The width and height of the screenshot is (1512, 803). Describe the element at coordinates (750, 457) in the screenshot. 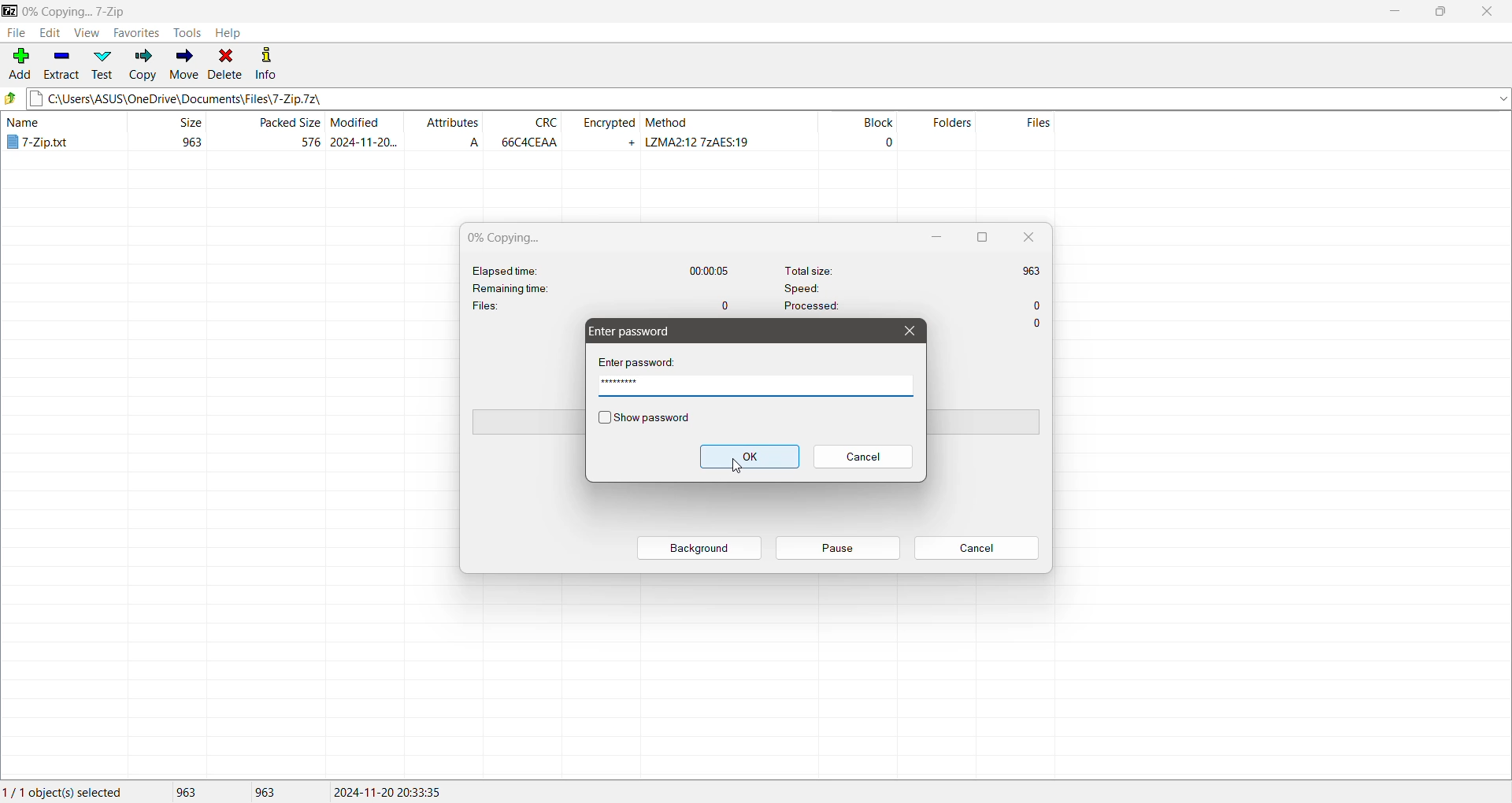

I see `Click to confirm` at that location.